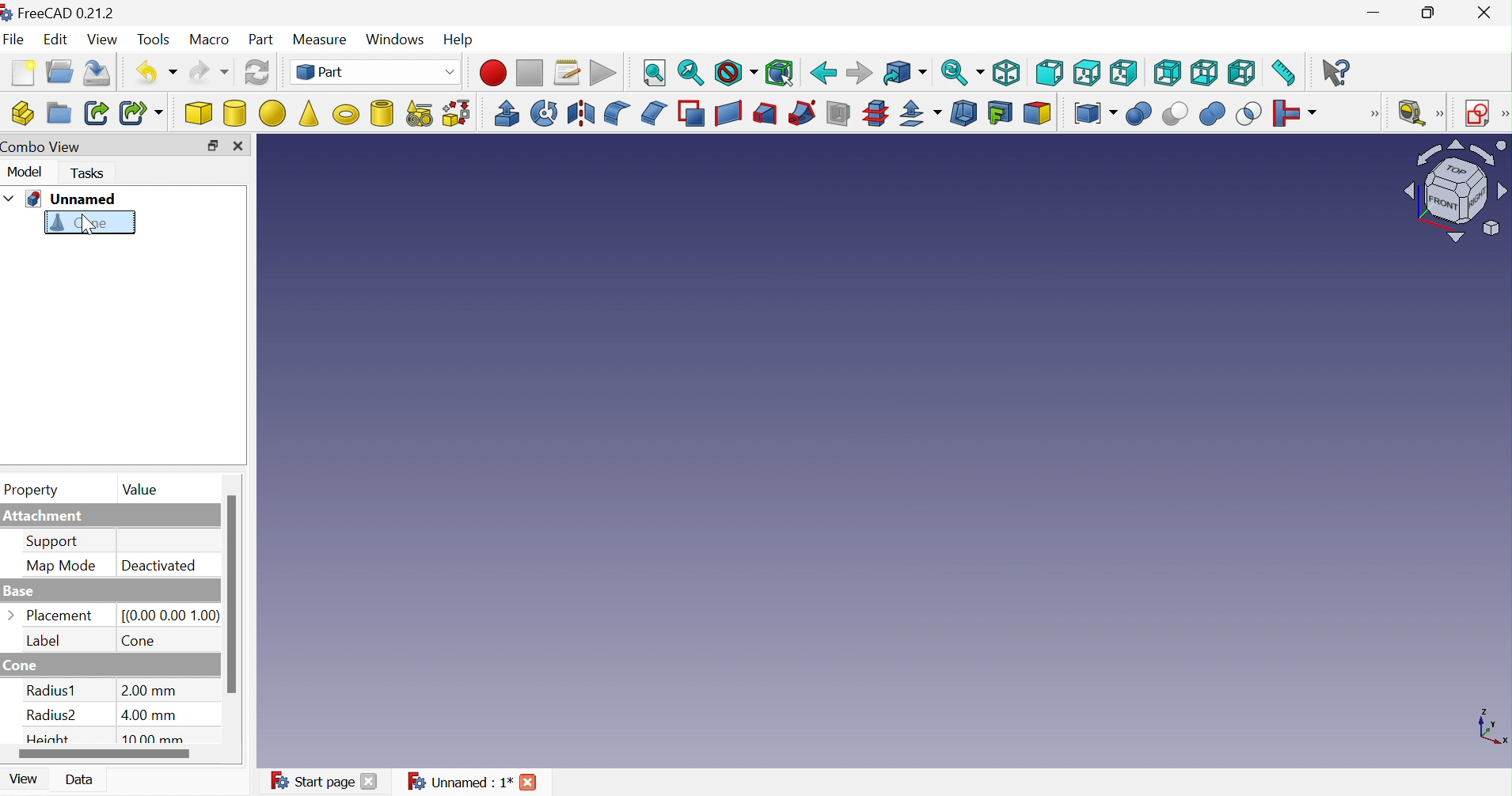 Image resolution: width=1512 pixels, height=796 pixels. What do you see at coordinates (1479, 112) in the screenshot?
I see `Create sketch` at bounding box center [1479, 112].